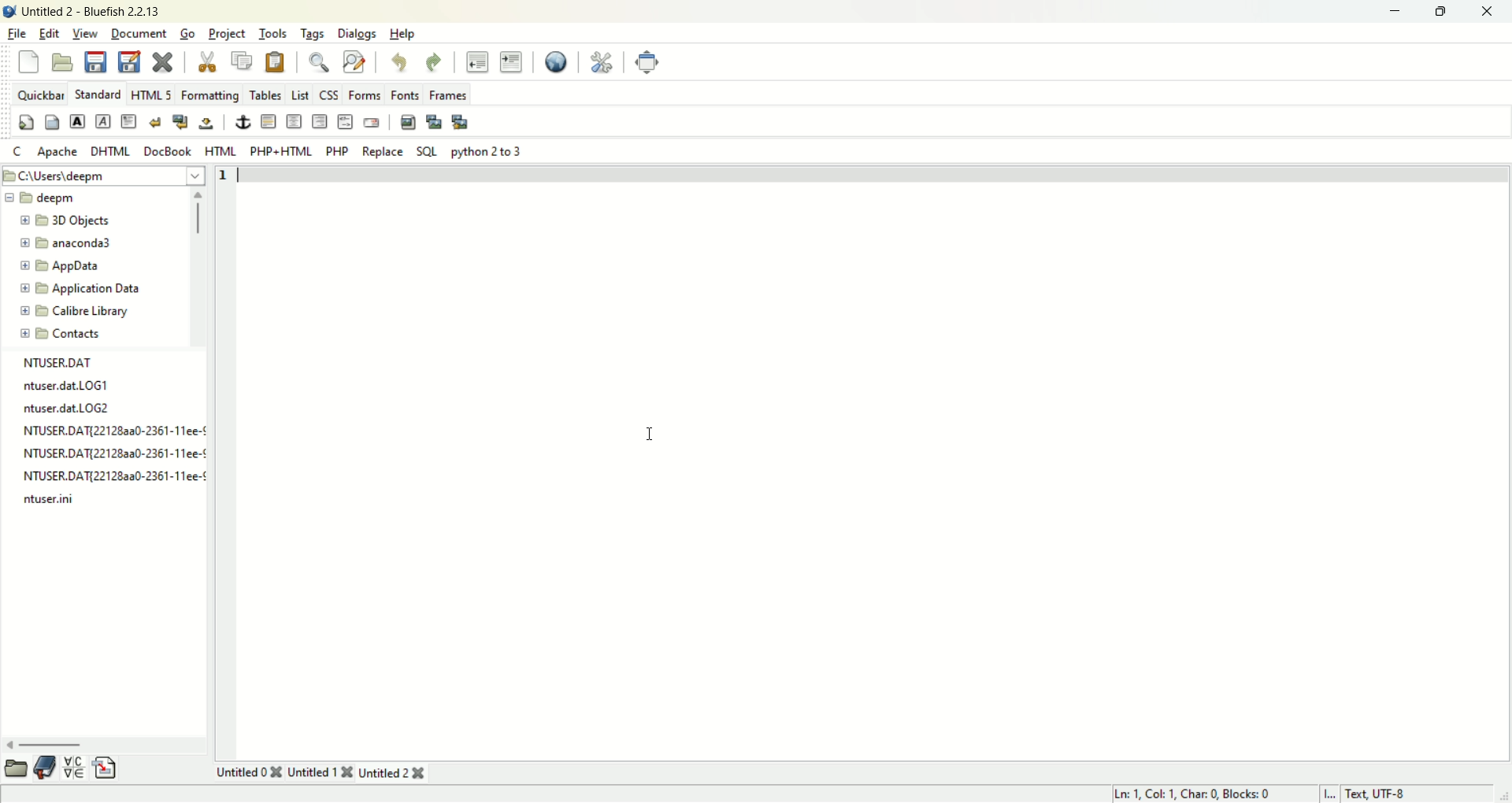 This screenshot has height=803, width=1512. What do you see at coordinates (407, 120) in the screenshot?
I see `insert image` at bounding box center [407, 120].